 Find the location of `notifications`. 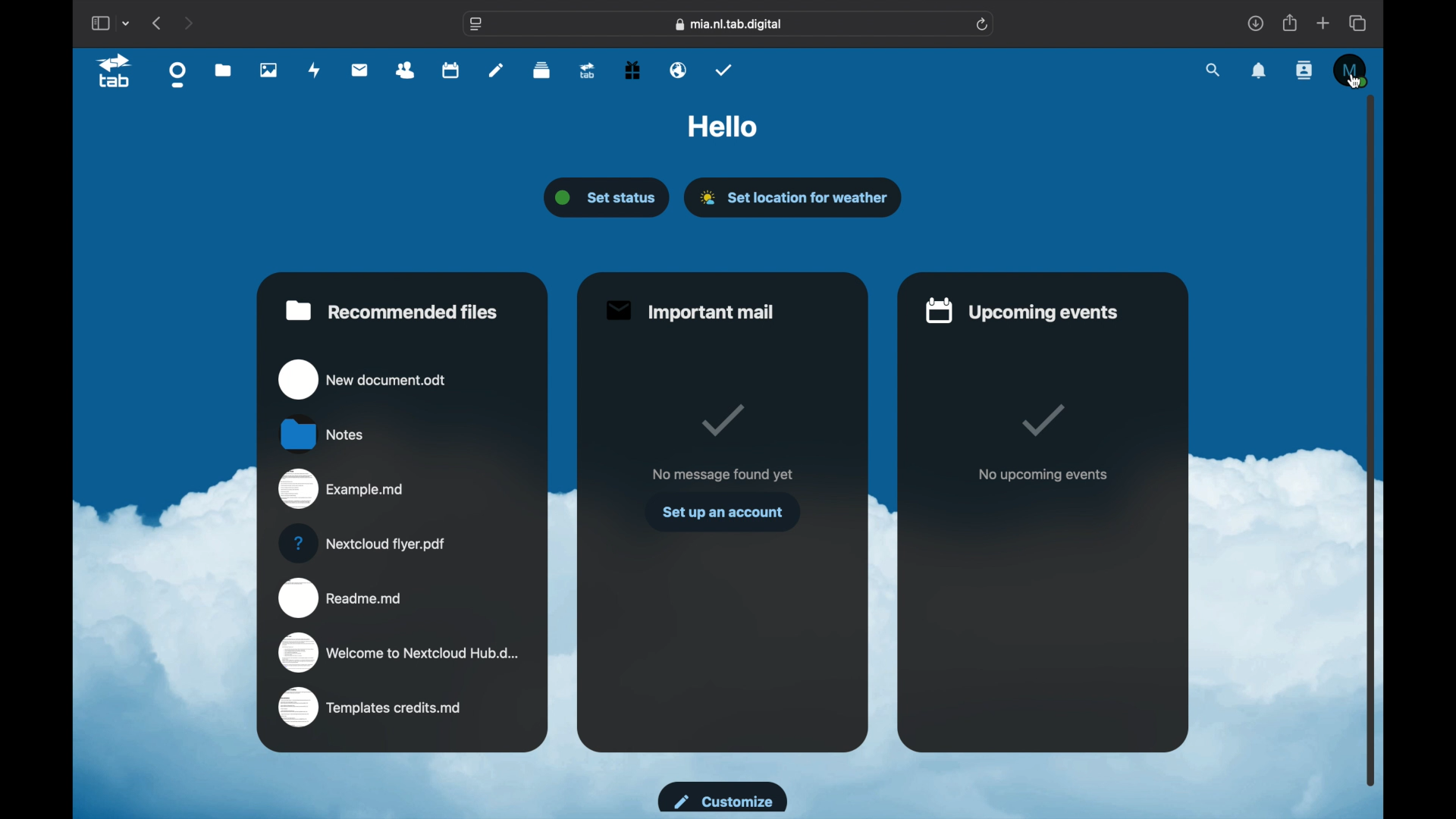

notifications is located at coordinates (1259, 71).